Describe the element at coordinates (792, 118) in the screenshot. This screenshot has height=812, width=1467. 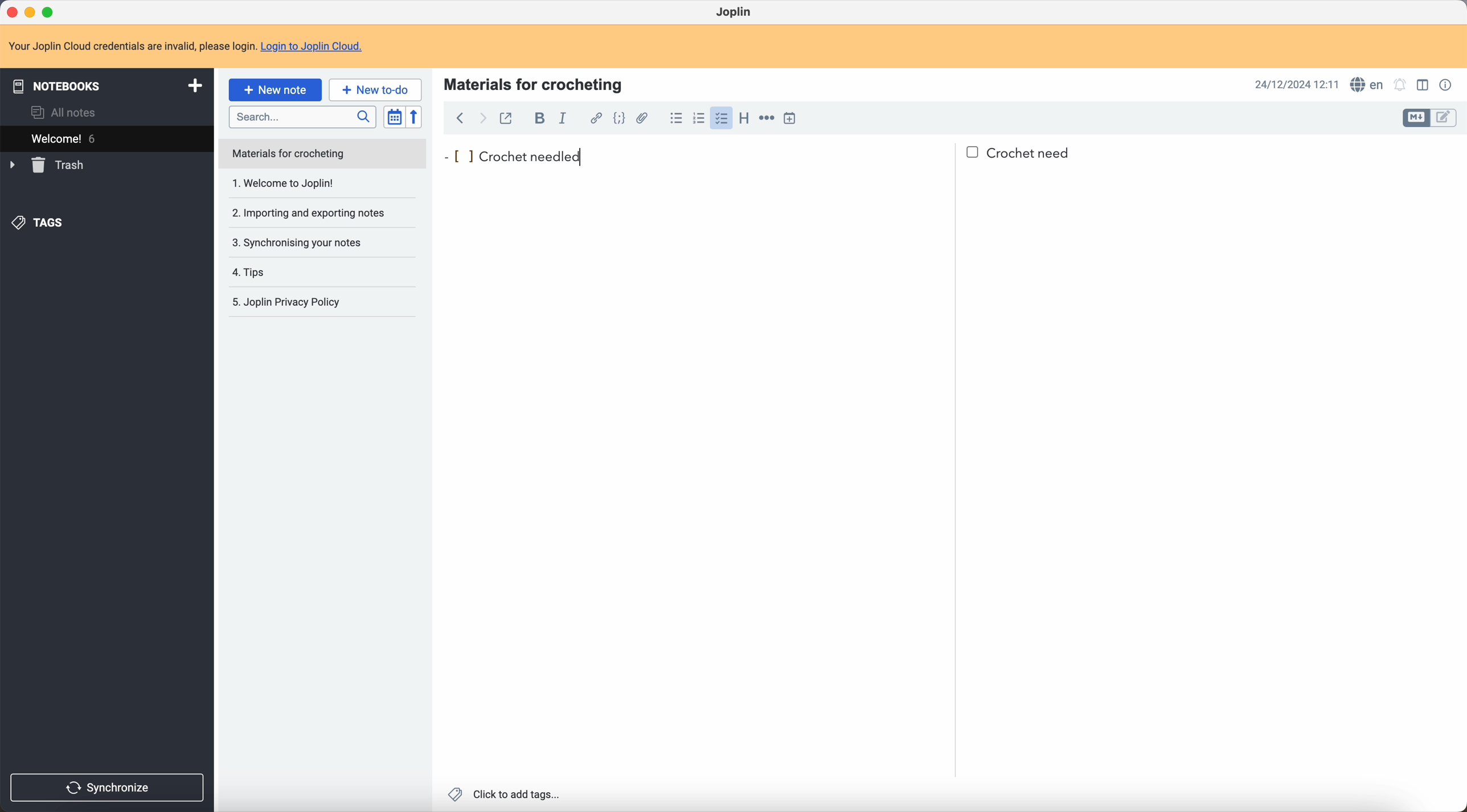
I see `insert time` at that location.